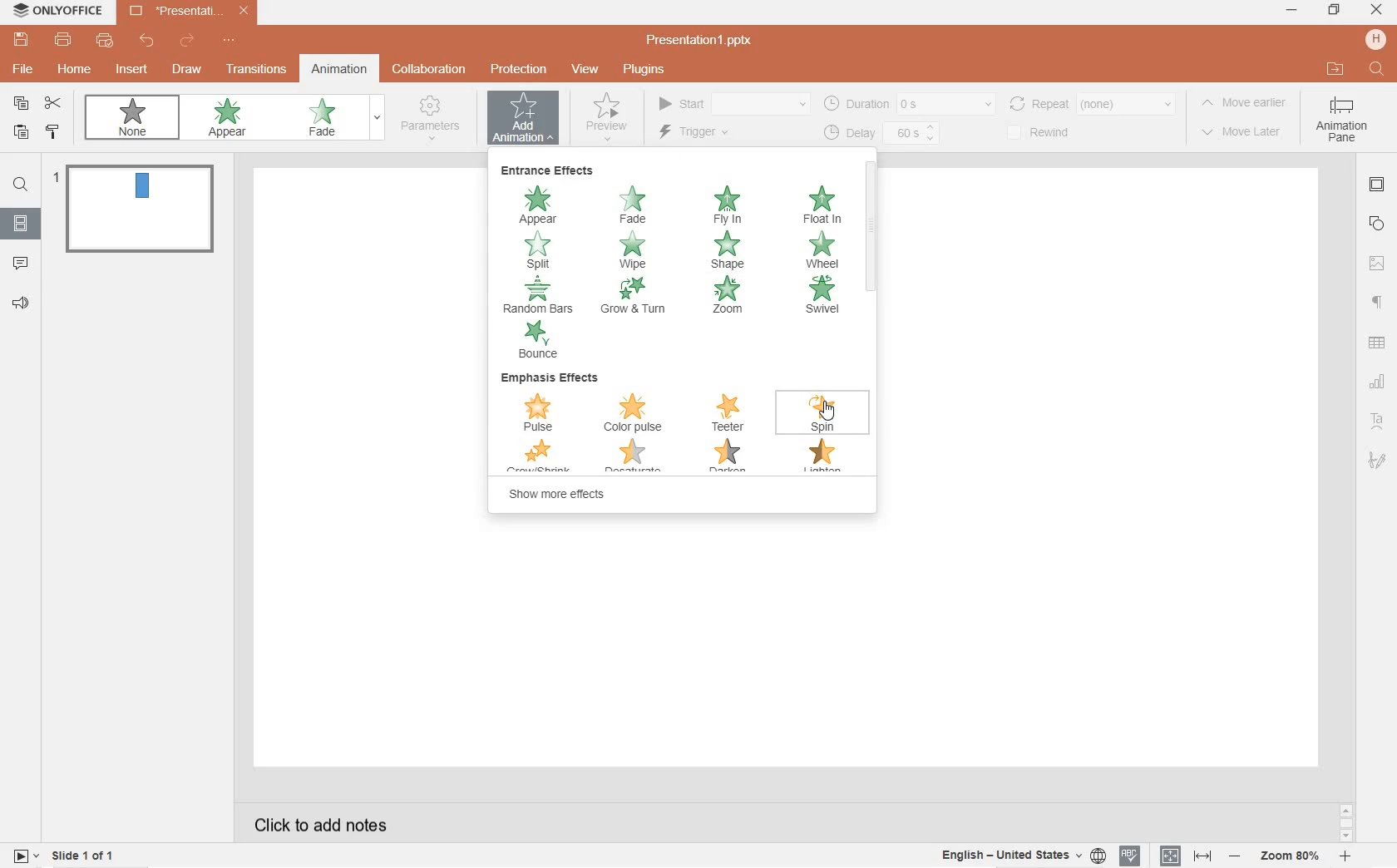 This screenshot has width=1397, height=868. What do you see at coordinates (632, 205) in the screenshot?
I see `fade` at bounding box center [632, 205].